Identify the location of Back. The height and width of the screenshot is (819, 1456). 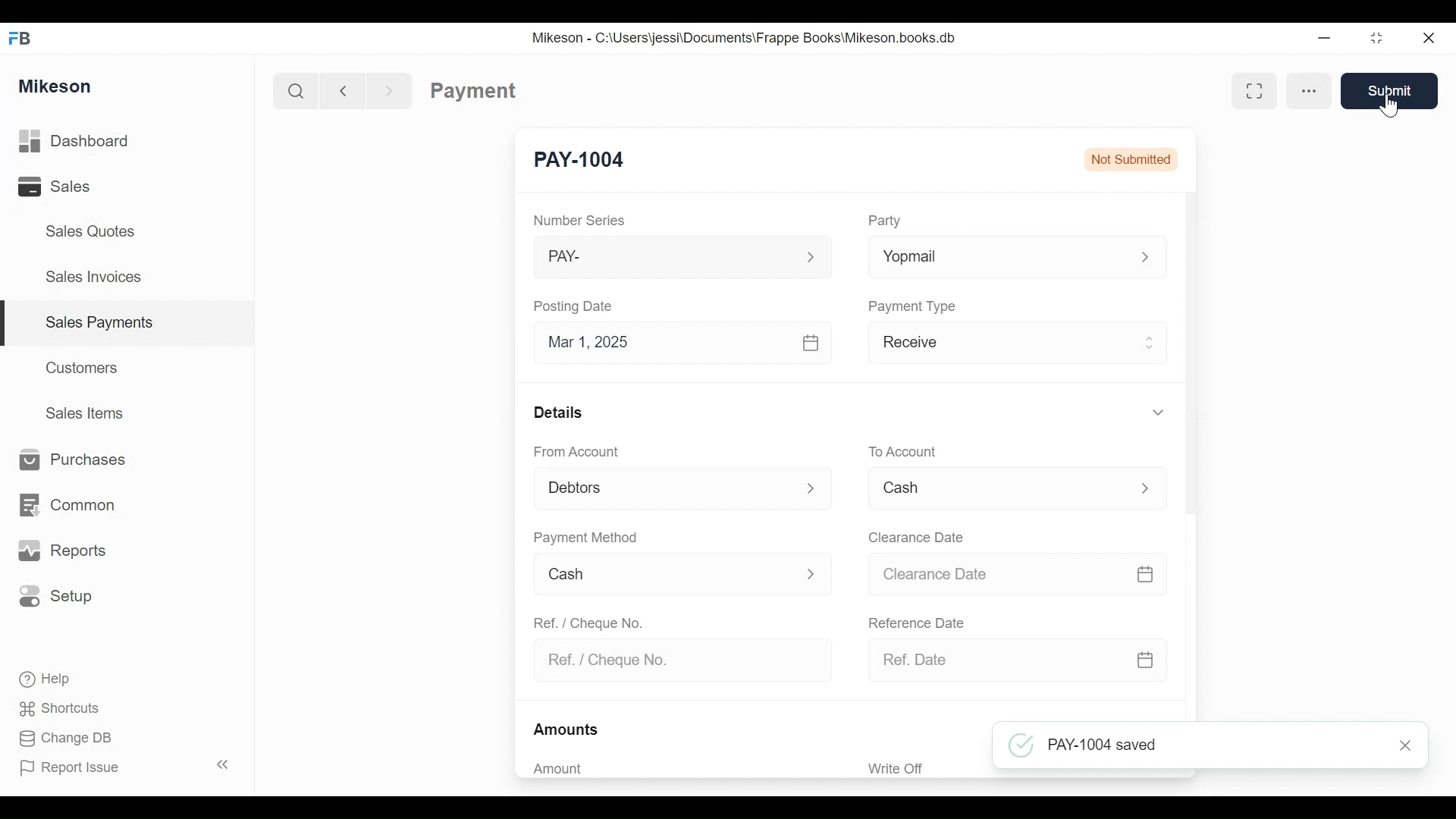
(350, 89).